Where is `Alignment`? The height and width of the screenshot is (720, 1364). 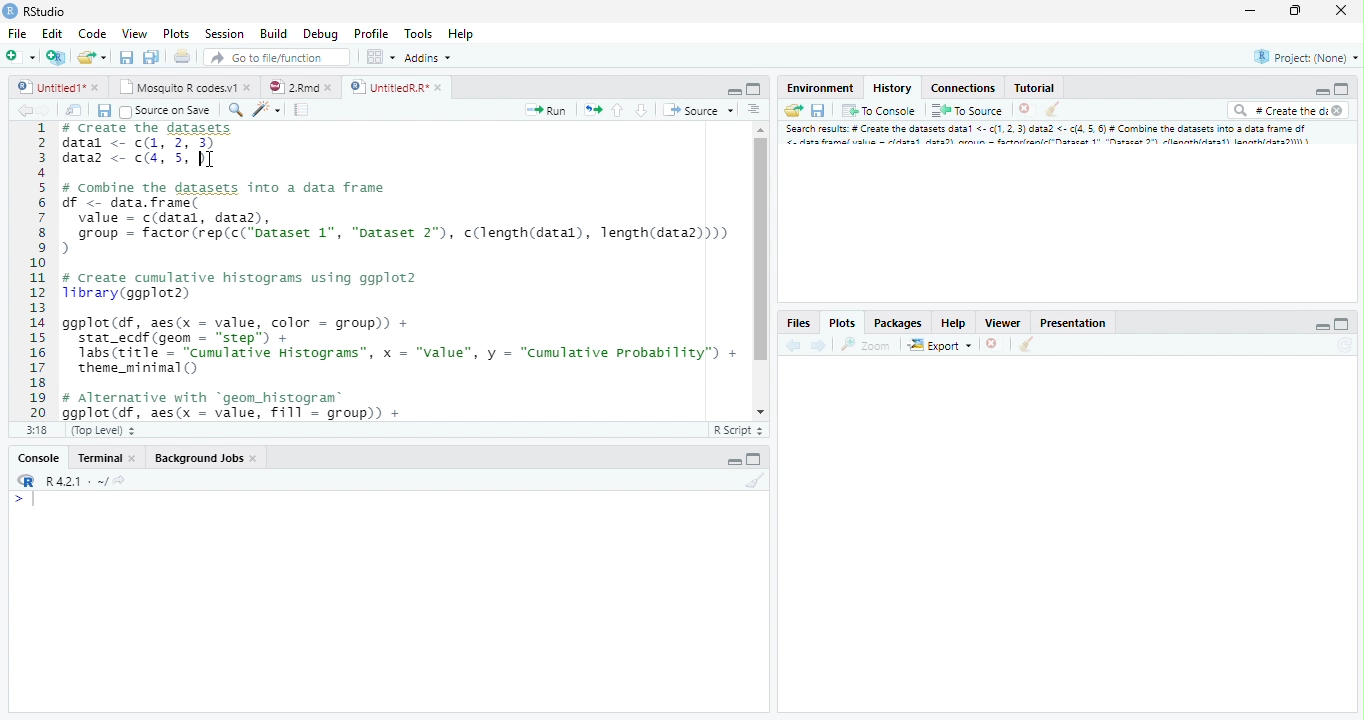
Alignment is located at coordinates (755, 113).